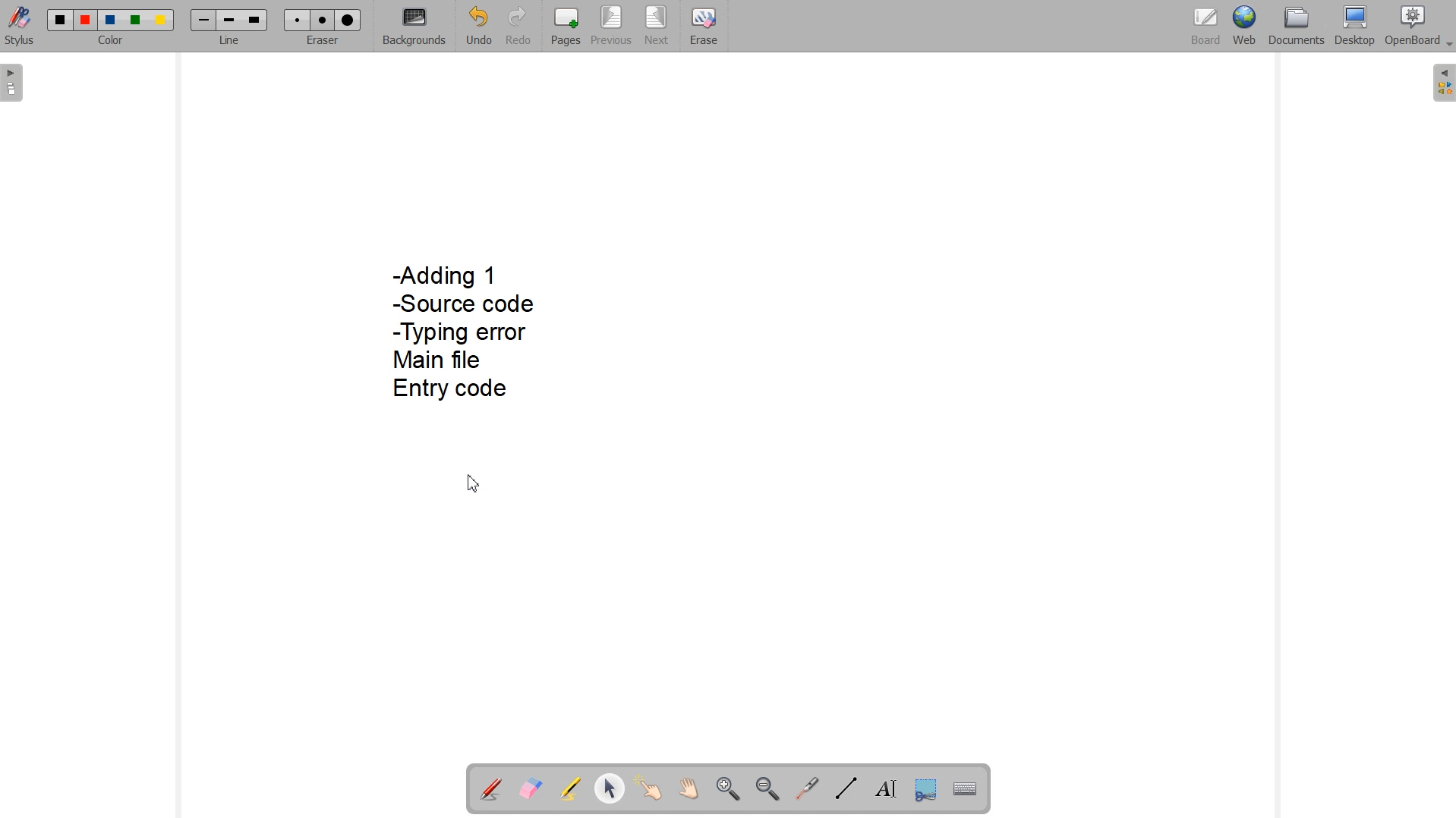  Describe the element at coordinates (689, 790) in the screenshot. I see `Scroll page` at that location.